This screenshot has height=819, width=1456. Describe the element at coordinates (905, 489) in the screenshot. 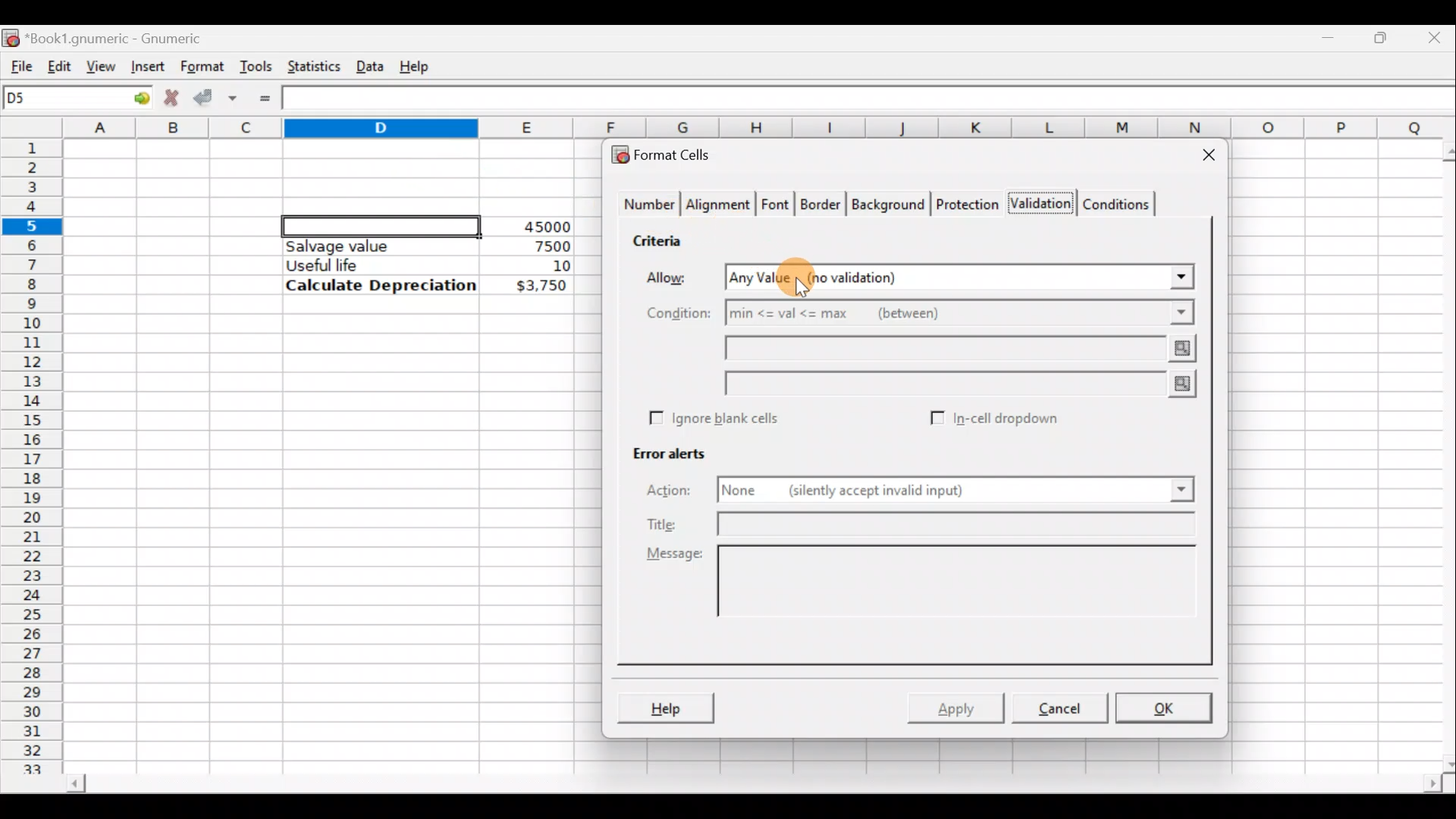

I see `None (silently accept invalid input)` at that location.